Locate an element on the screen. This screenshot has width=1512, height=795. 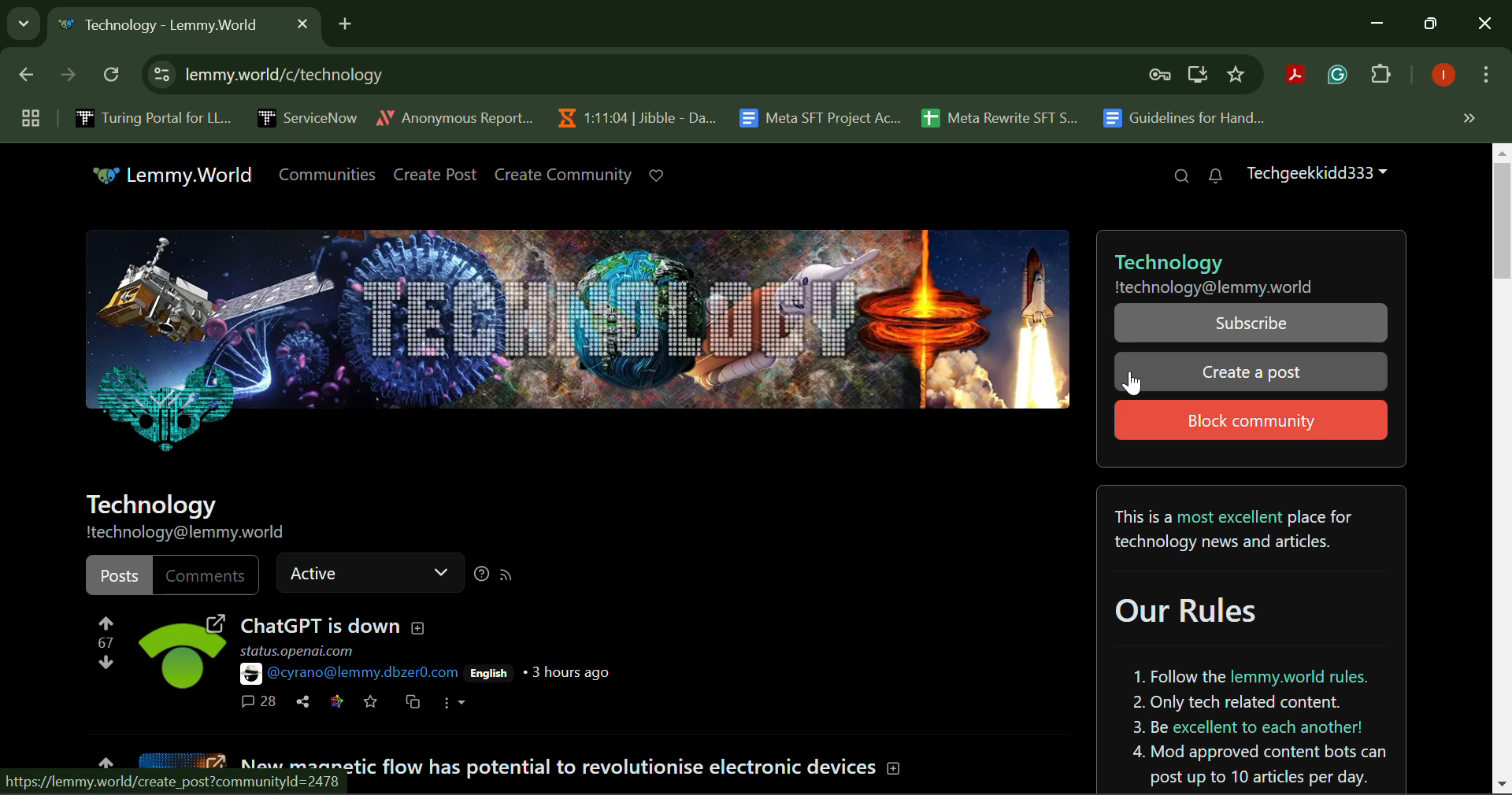
 is located at coordinates (513, 574).